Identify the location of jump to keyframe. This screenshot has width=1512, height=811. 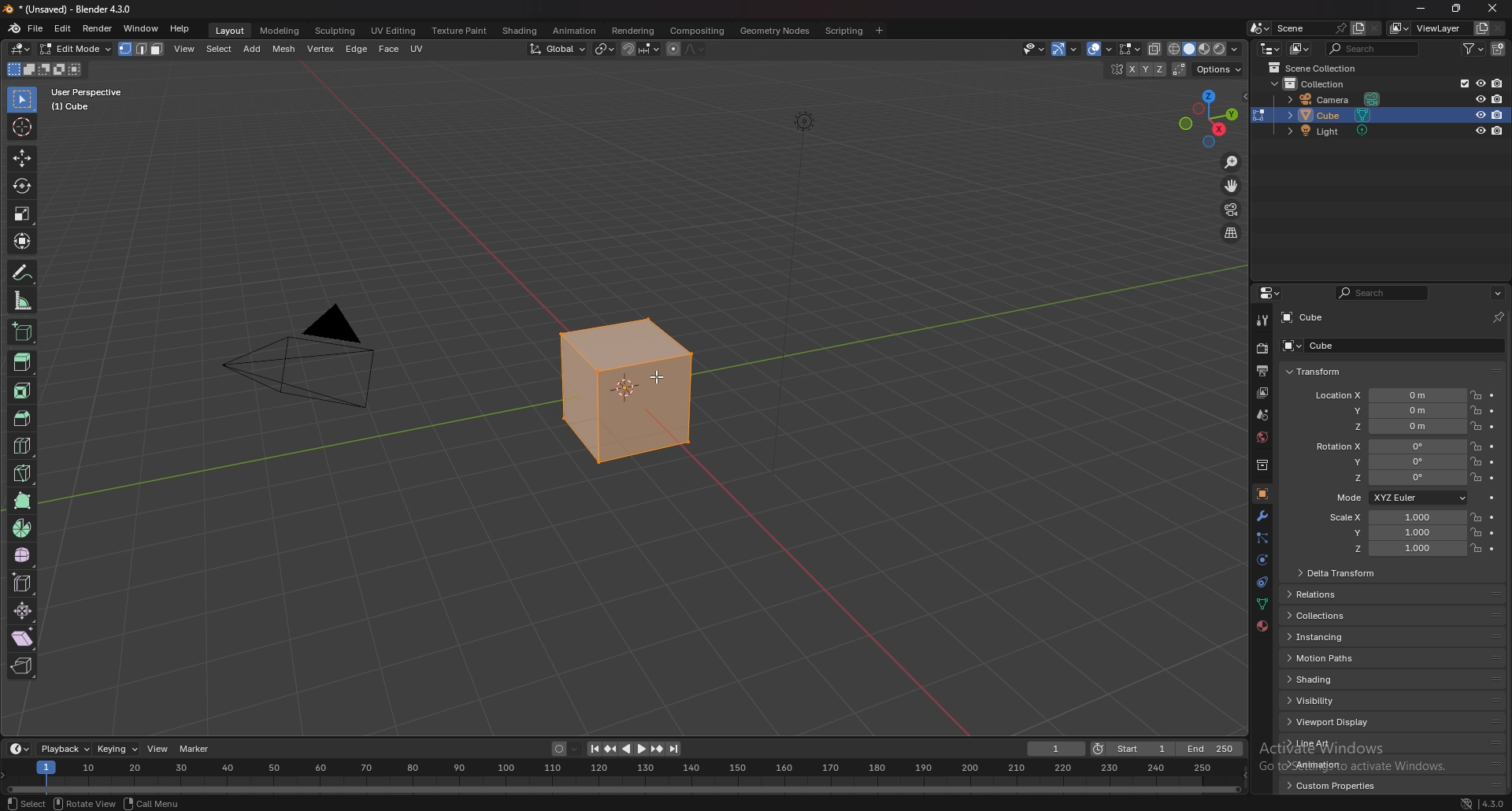
(658, 749).